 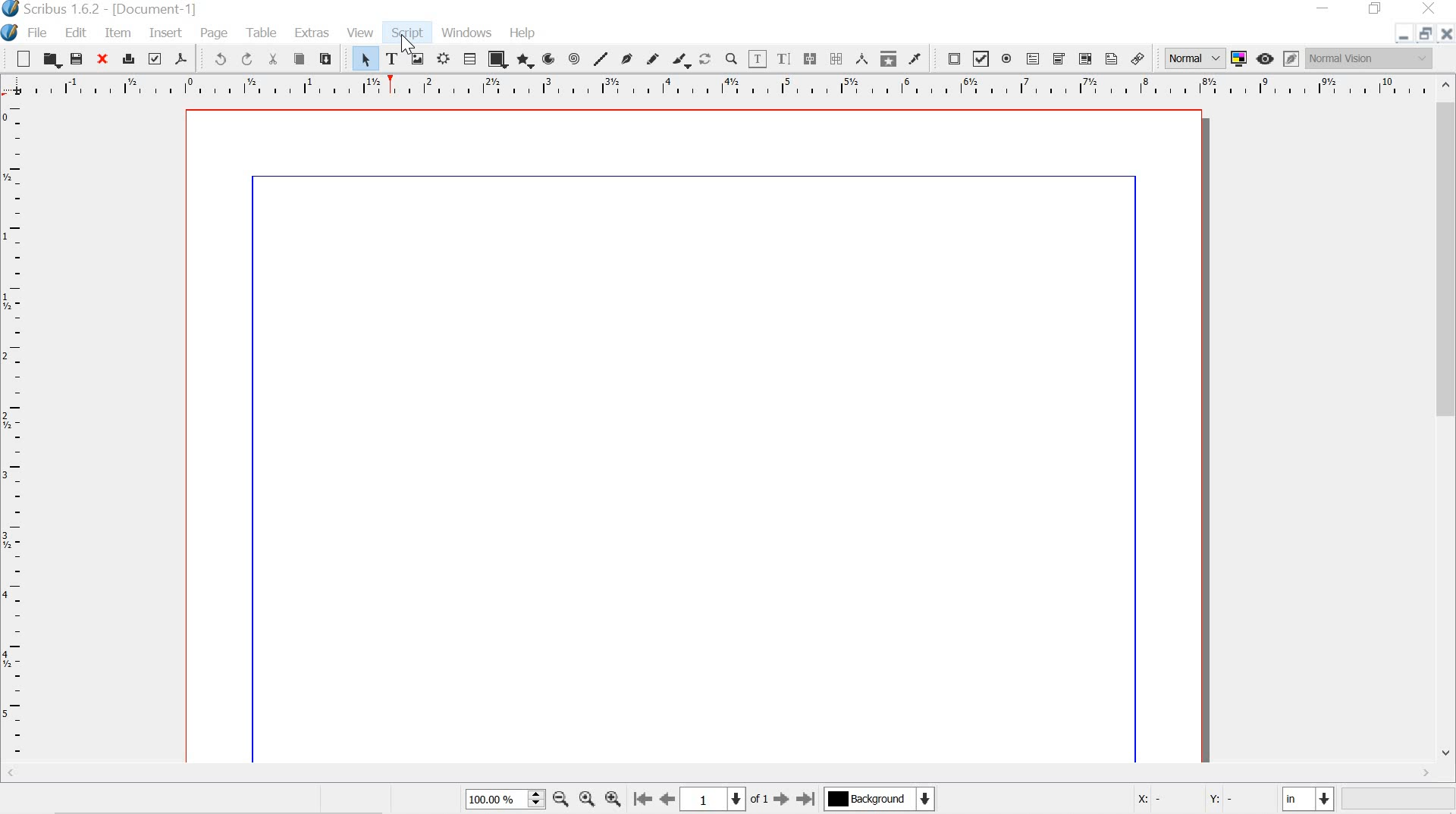 I want to click on close, so click(x=1426, y=8).